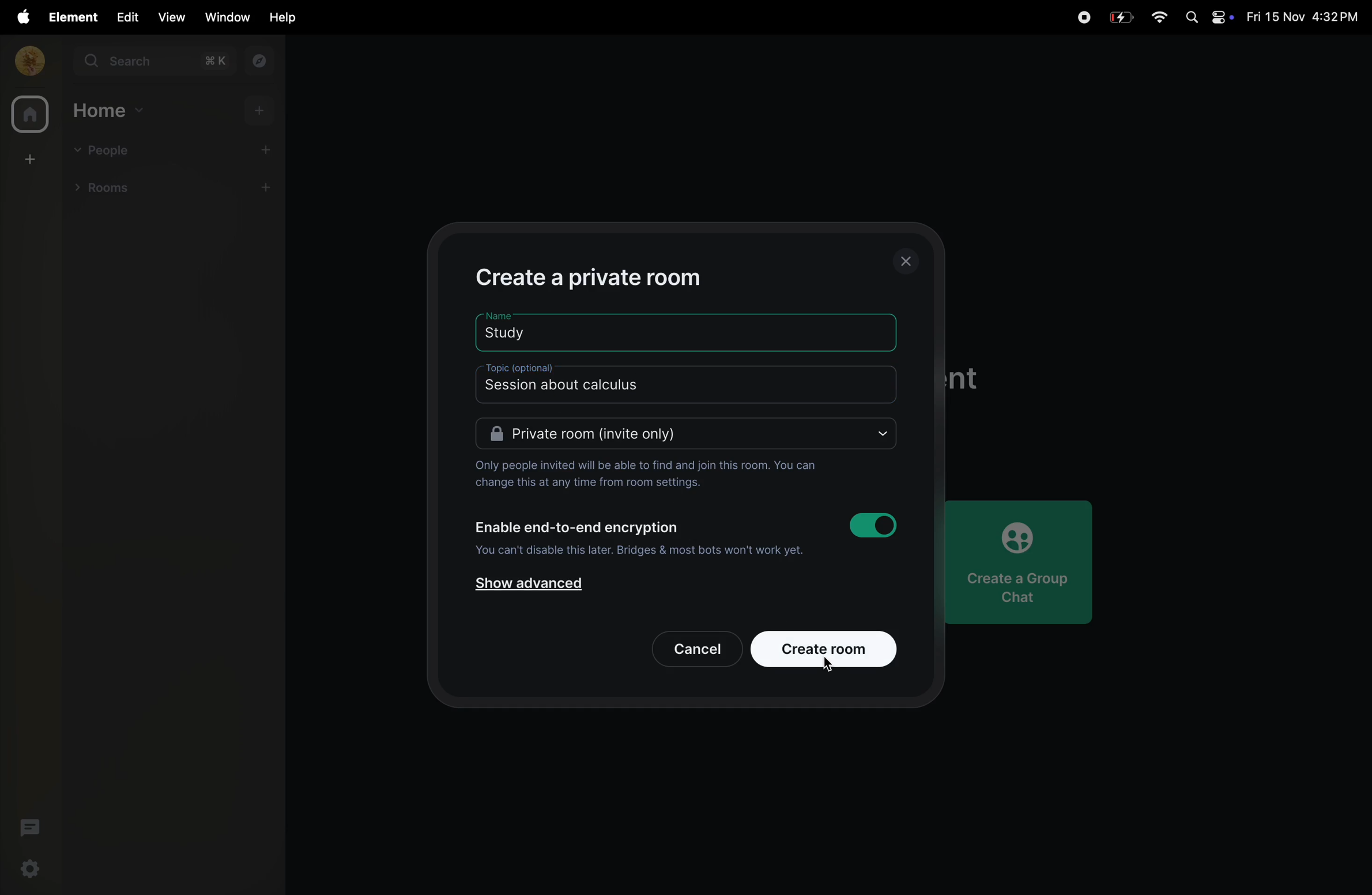  Describe the element at coordinates (105, 149) in the screenshot. I see `people` at that location.